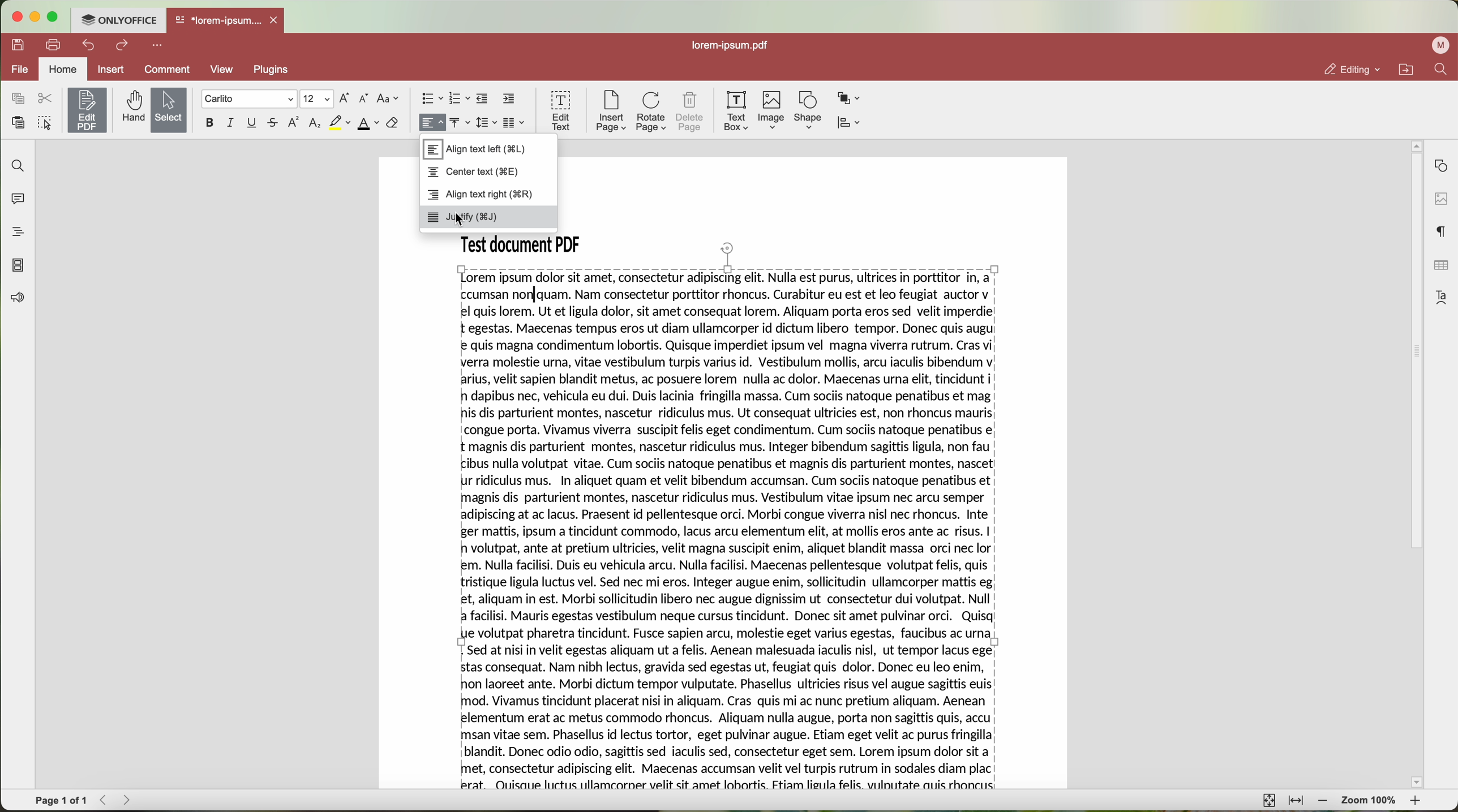  Describe the element at coordinates (691, 113) in the screenshot. I see `delete page` at that location.